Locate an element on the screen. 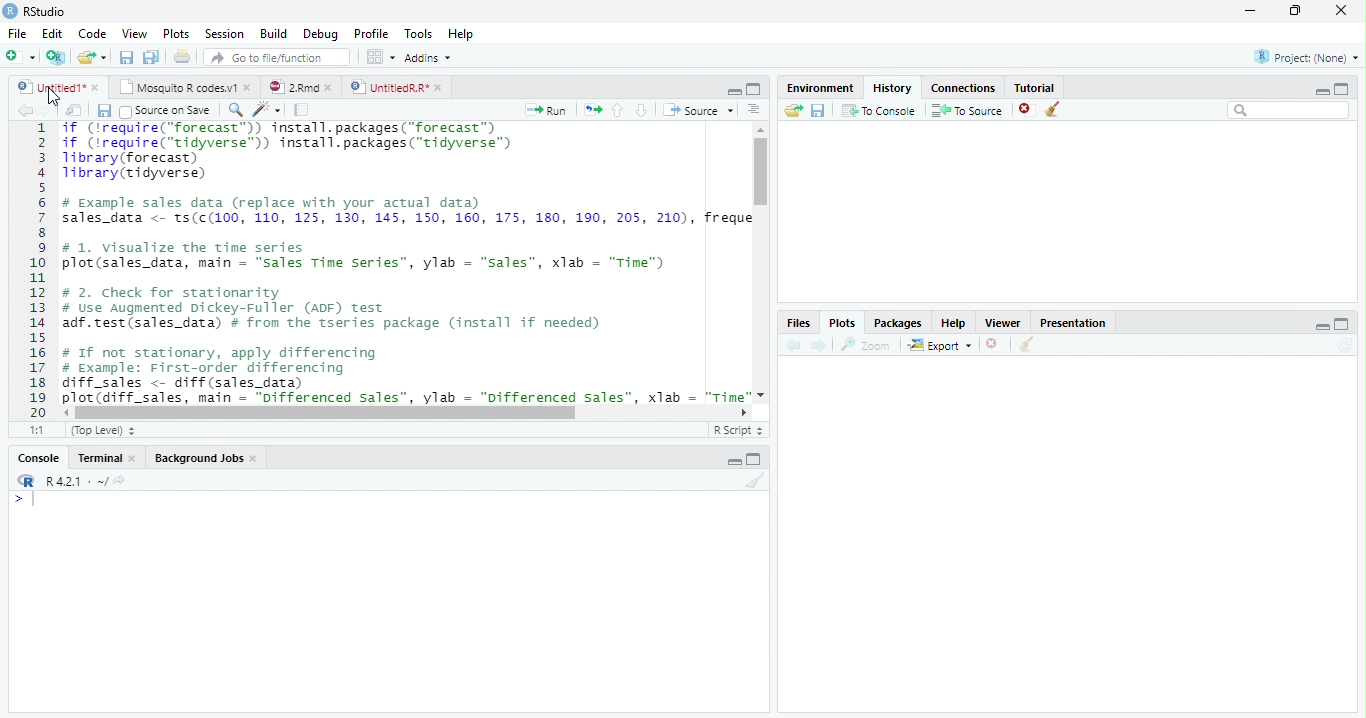 This screenshot has width=1366, height=718. Project(none) is located at coordinates (1305, 56).